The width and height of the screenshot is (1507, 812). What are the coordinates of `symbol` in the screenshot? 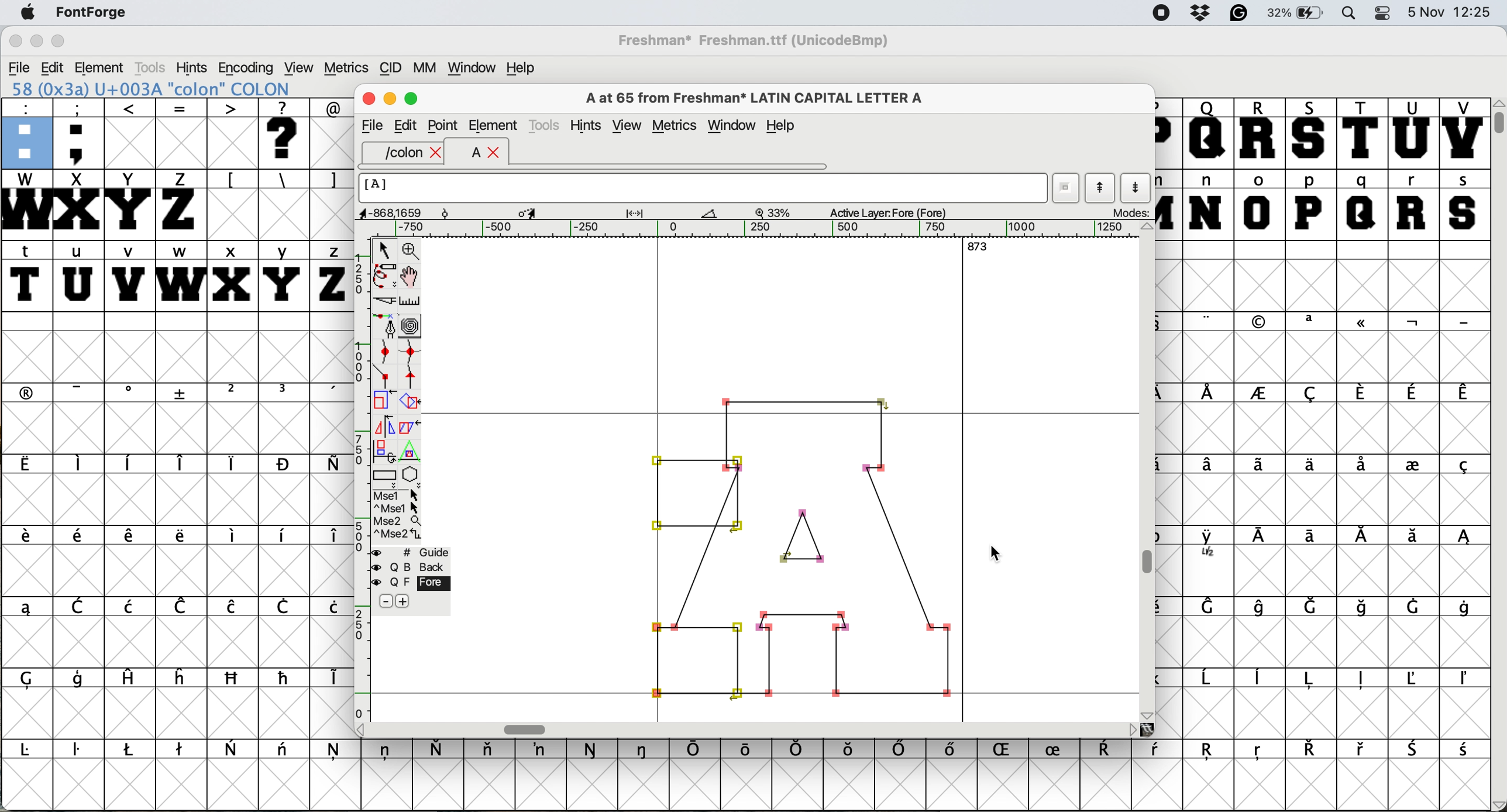 It's located at (1412, 606).